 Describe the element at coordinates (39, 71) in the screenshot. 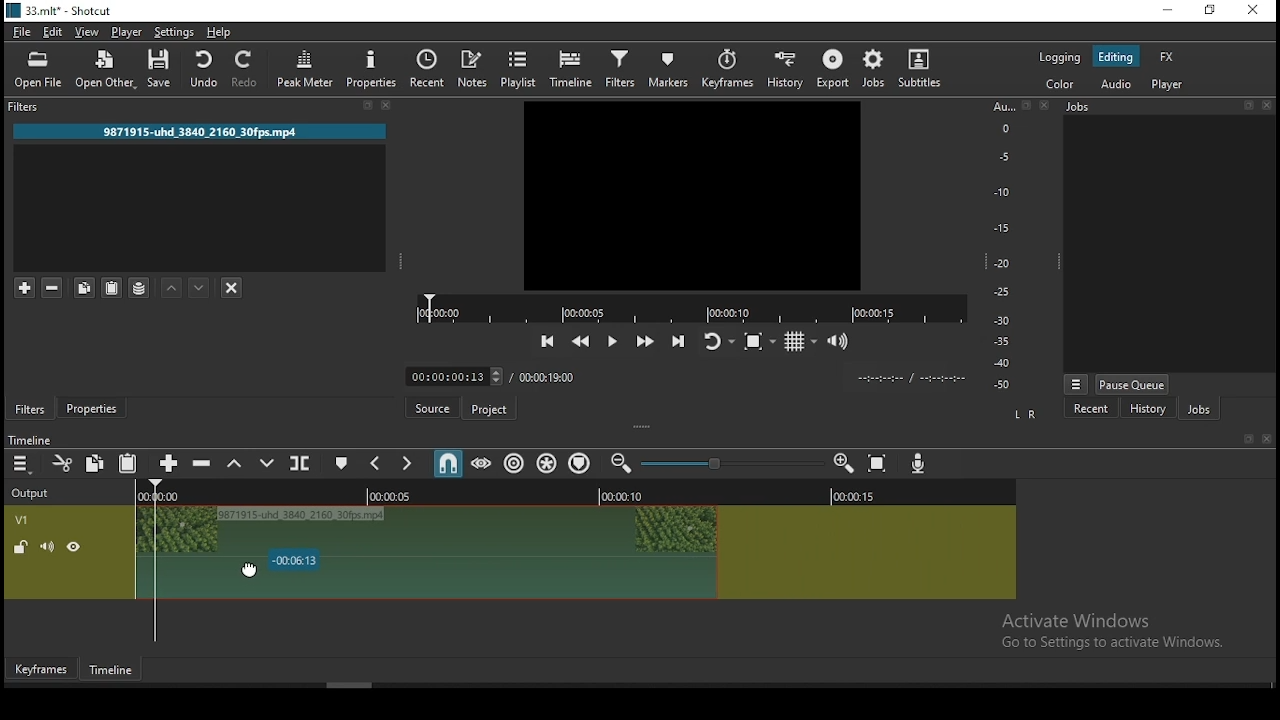

I see `open file` at that location.